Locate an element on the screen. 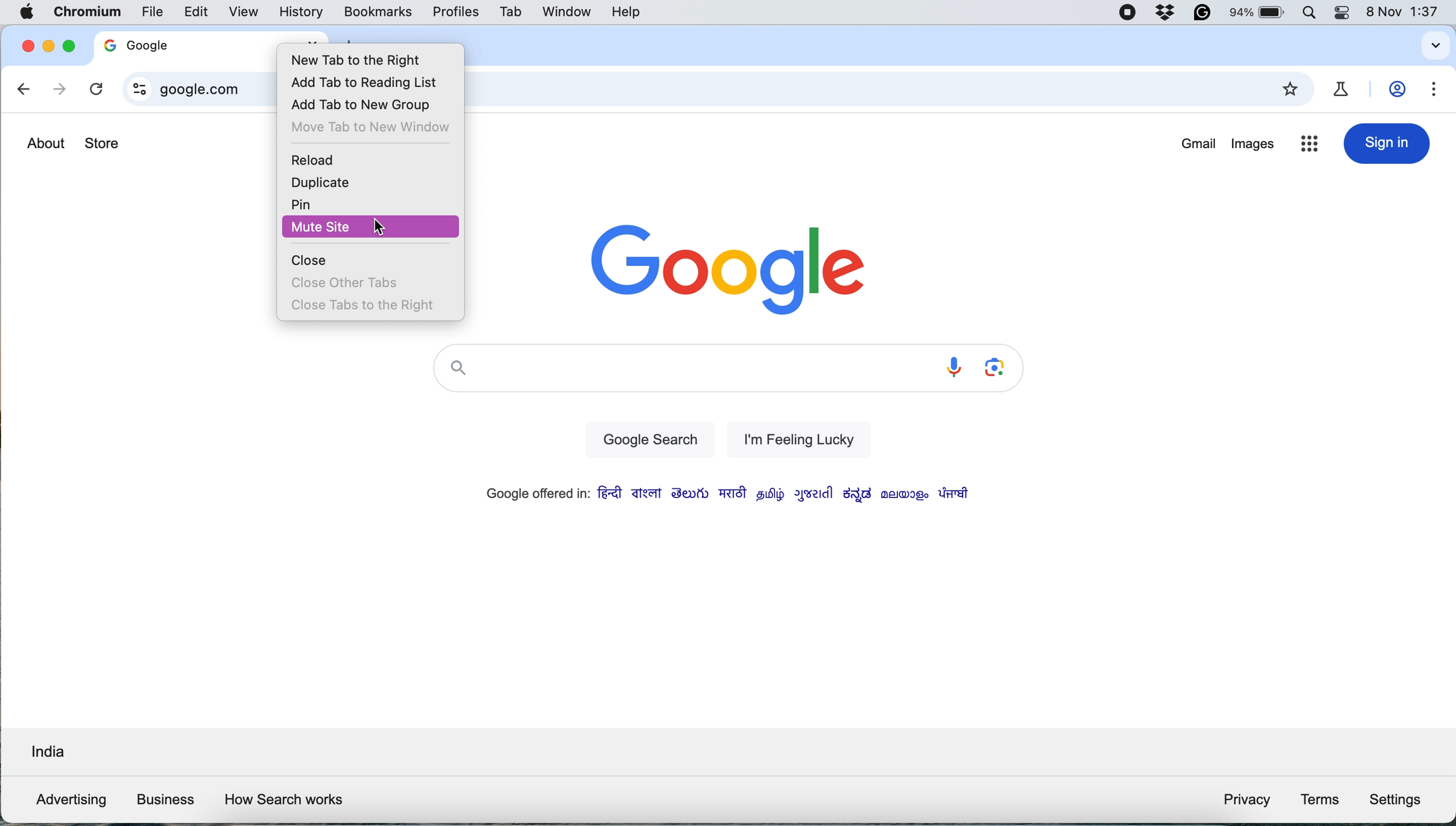 The height and width of the screenshot is (826, 1456). go back is located at coordinates (25, 91).